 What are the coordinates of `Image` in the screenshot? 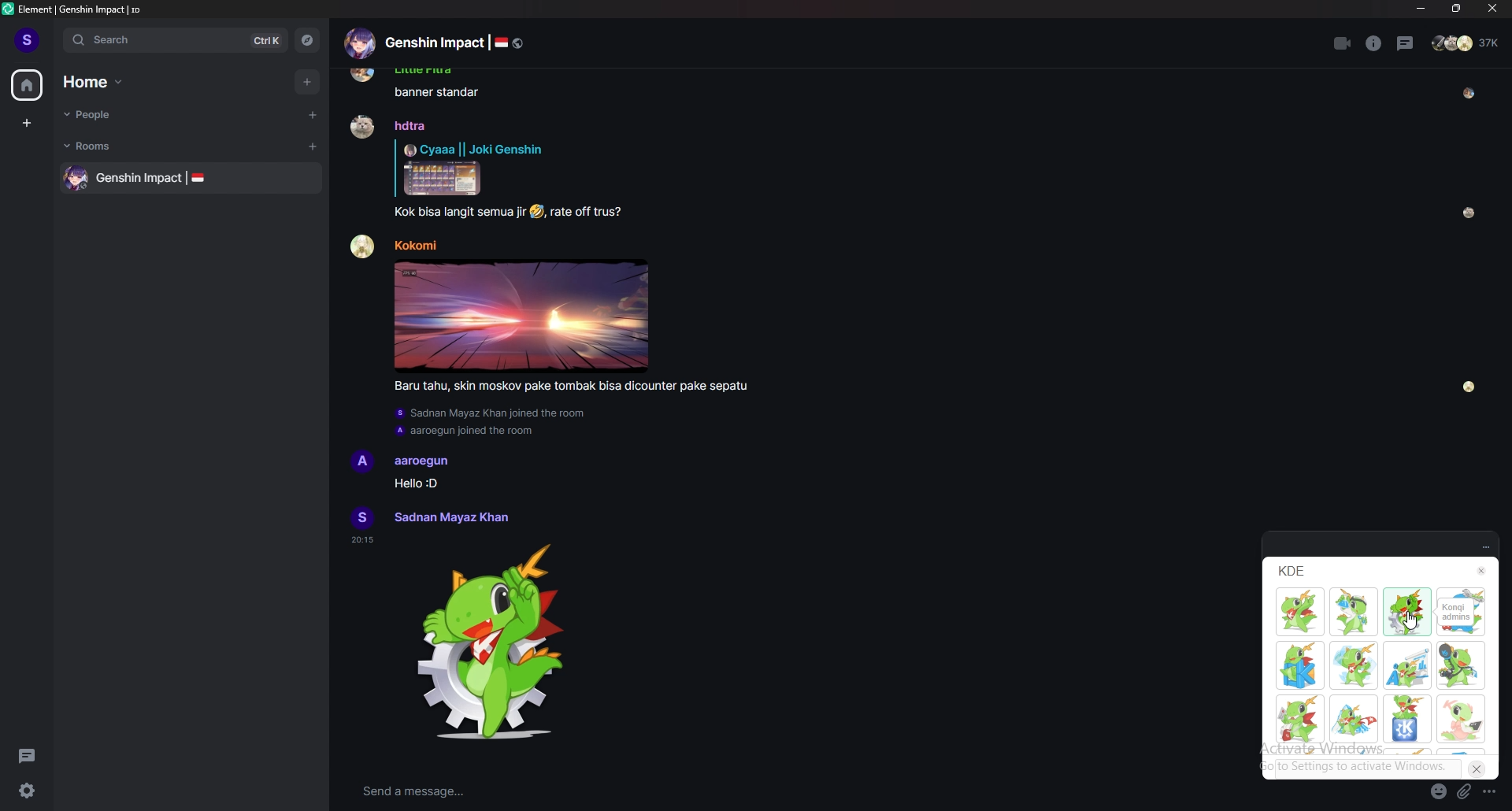 It's located at (443, 178).